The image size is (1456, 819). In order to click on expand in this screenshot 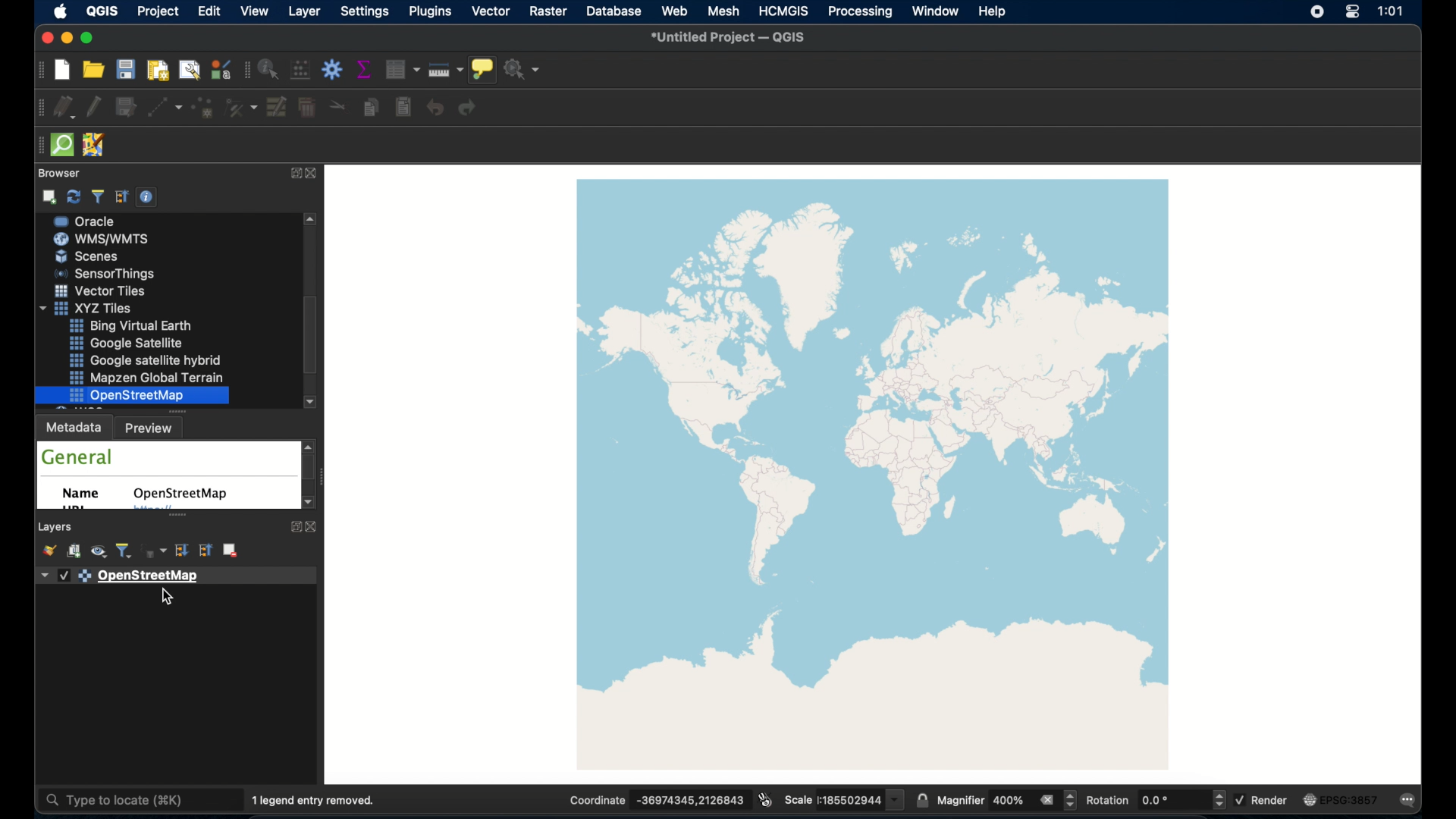, I will do `click(293, 526)`.